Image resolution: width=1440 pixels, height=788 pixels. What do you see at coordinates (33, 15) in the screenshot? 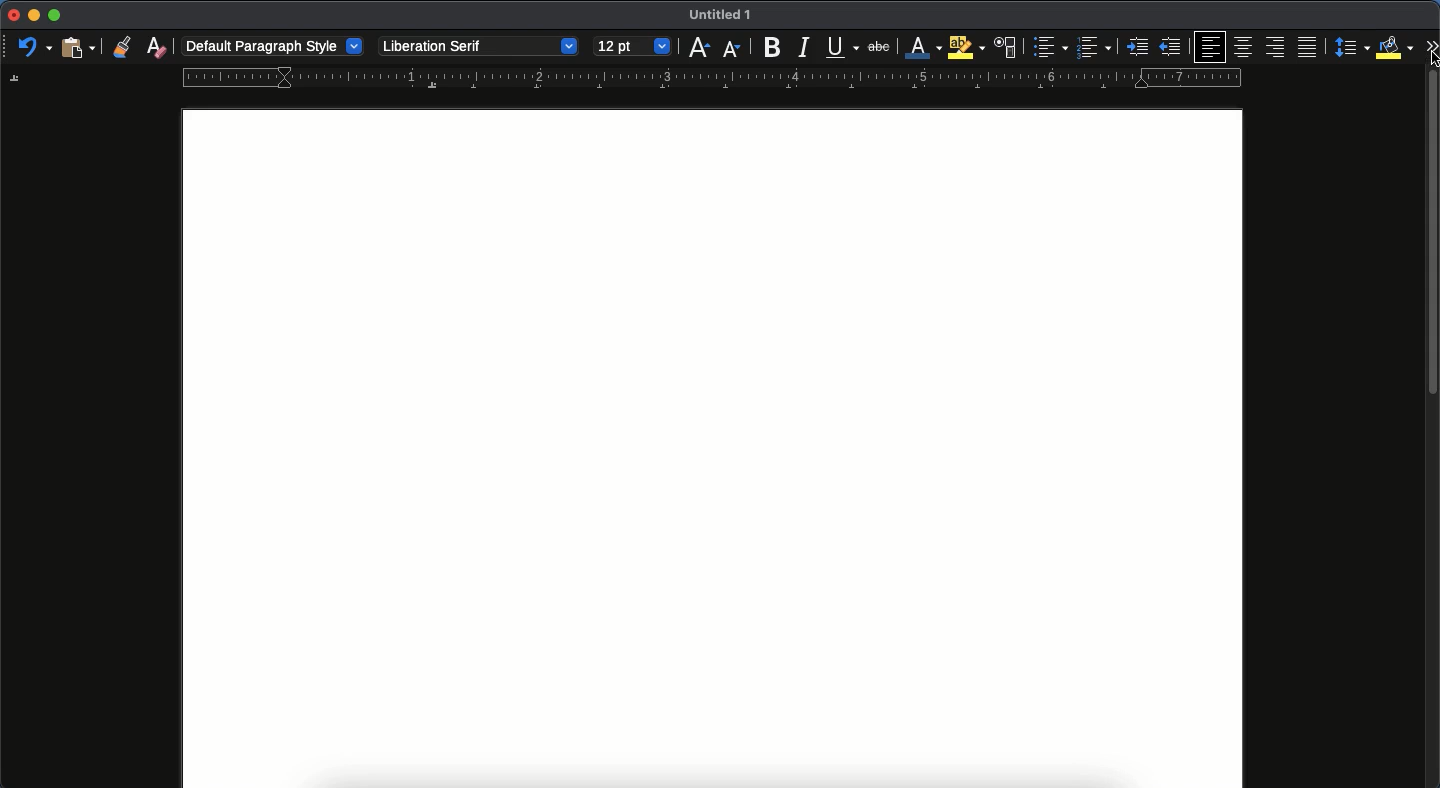
I see `minimize` at bounding box center [33, 15].